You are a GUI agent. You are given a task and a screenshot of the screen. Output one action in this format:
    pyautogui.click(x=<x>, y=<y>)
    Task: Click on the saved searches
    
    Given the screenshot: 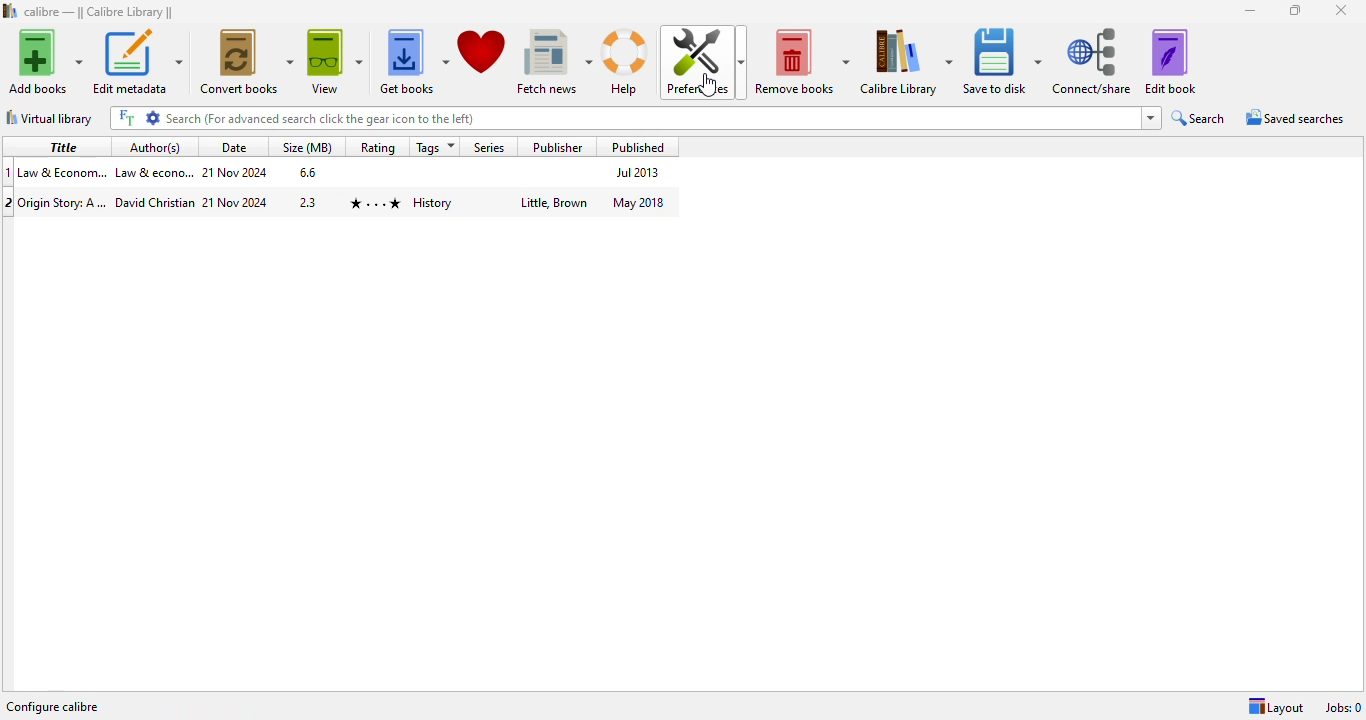 What is the action you would take?
    pyautogui.click(x=1294, y=117)
    